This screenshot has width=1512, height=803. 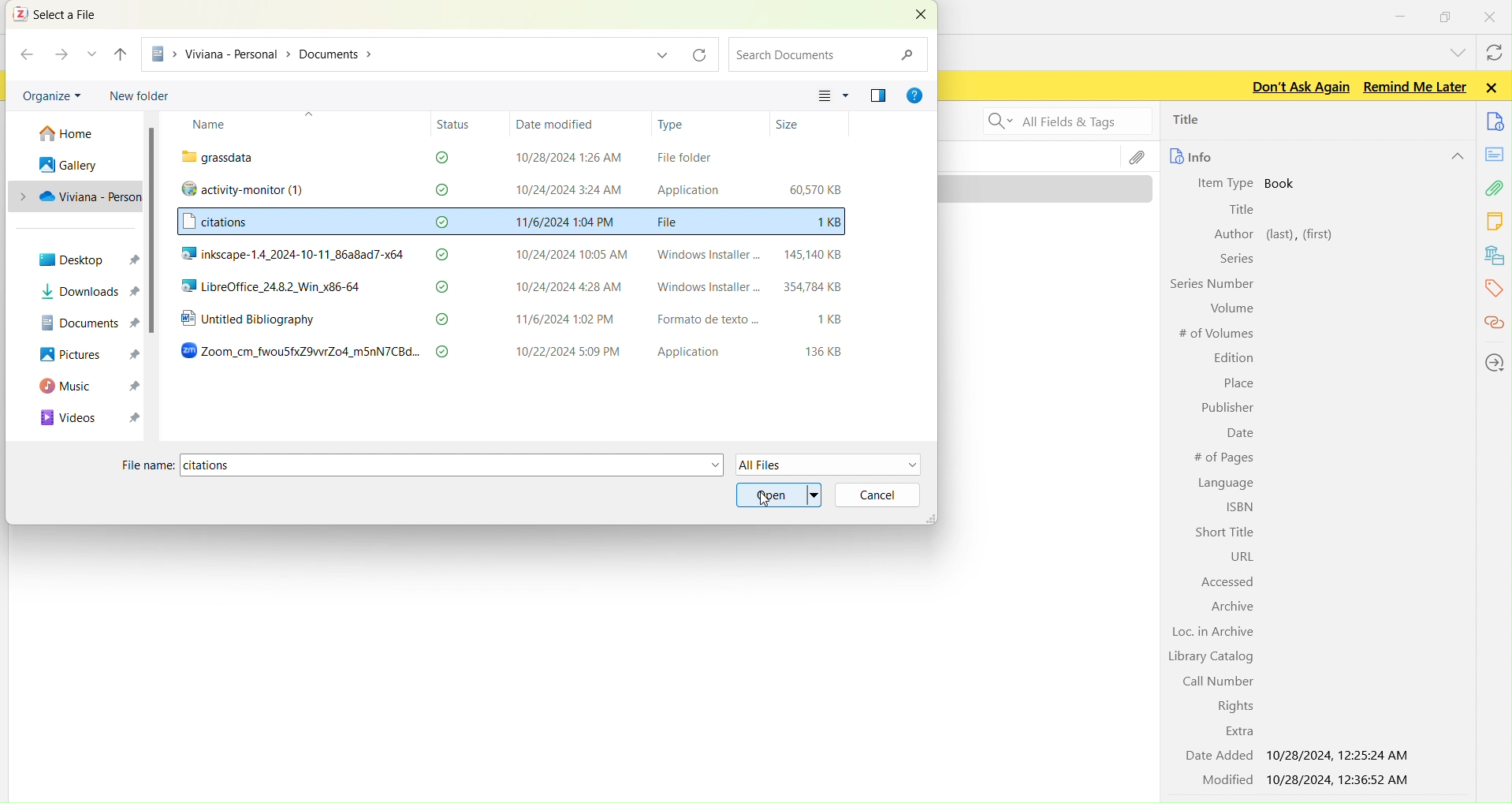 What do you see at coordinates (1447, 14) in the screenshot?
I see `windows` at bounding box center [1447, 14].